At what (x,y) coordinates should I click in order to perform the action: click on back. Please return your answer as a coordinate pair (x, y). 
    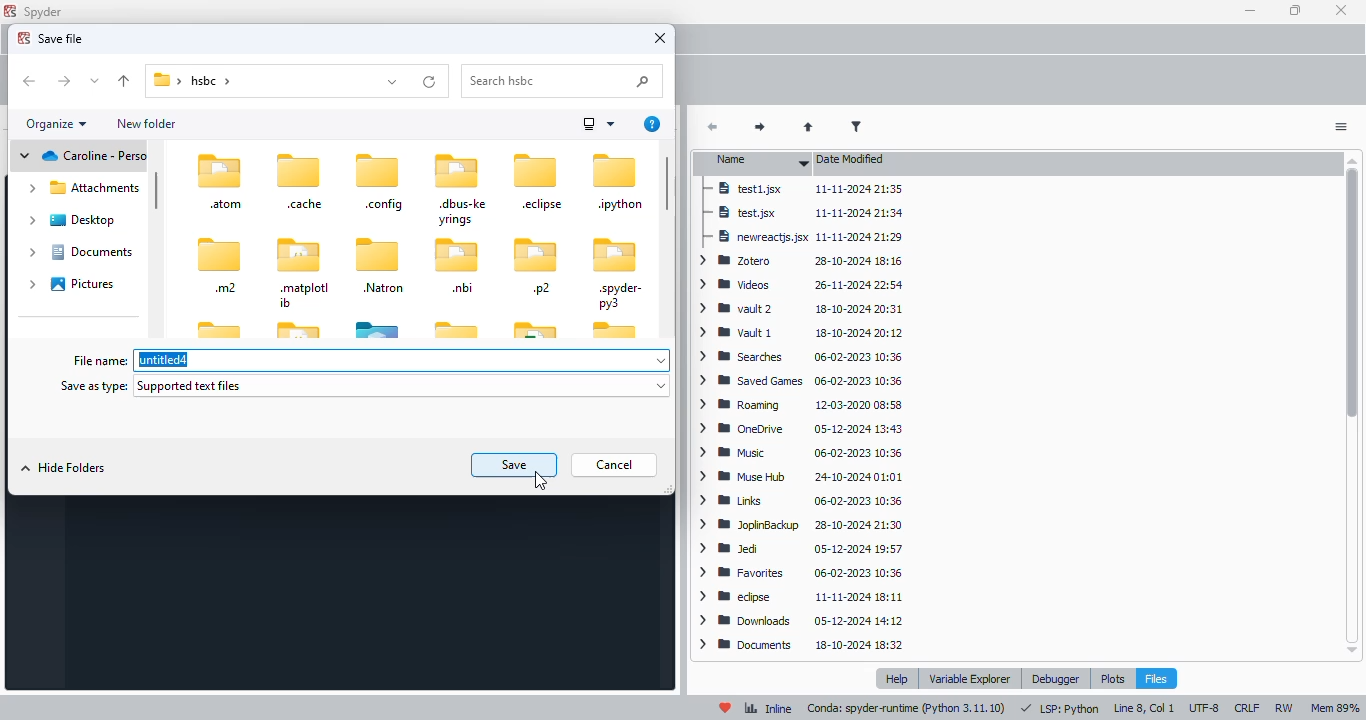
    Looking at the image, I should click on (32, 81).